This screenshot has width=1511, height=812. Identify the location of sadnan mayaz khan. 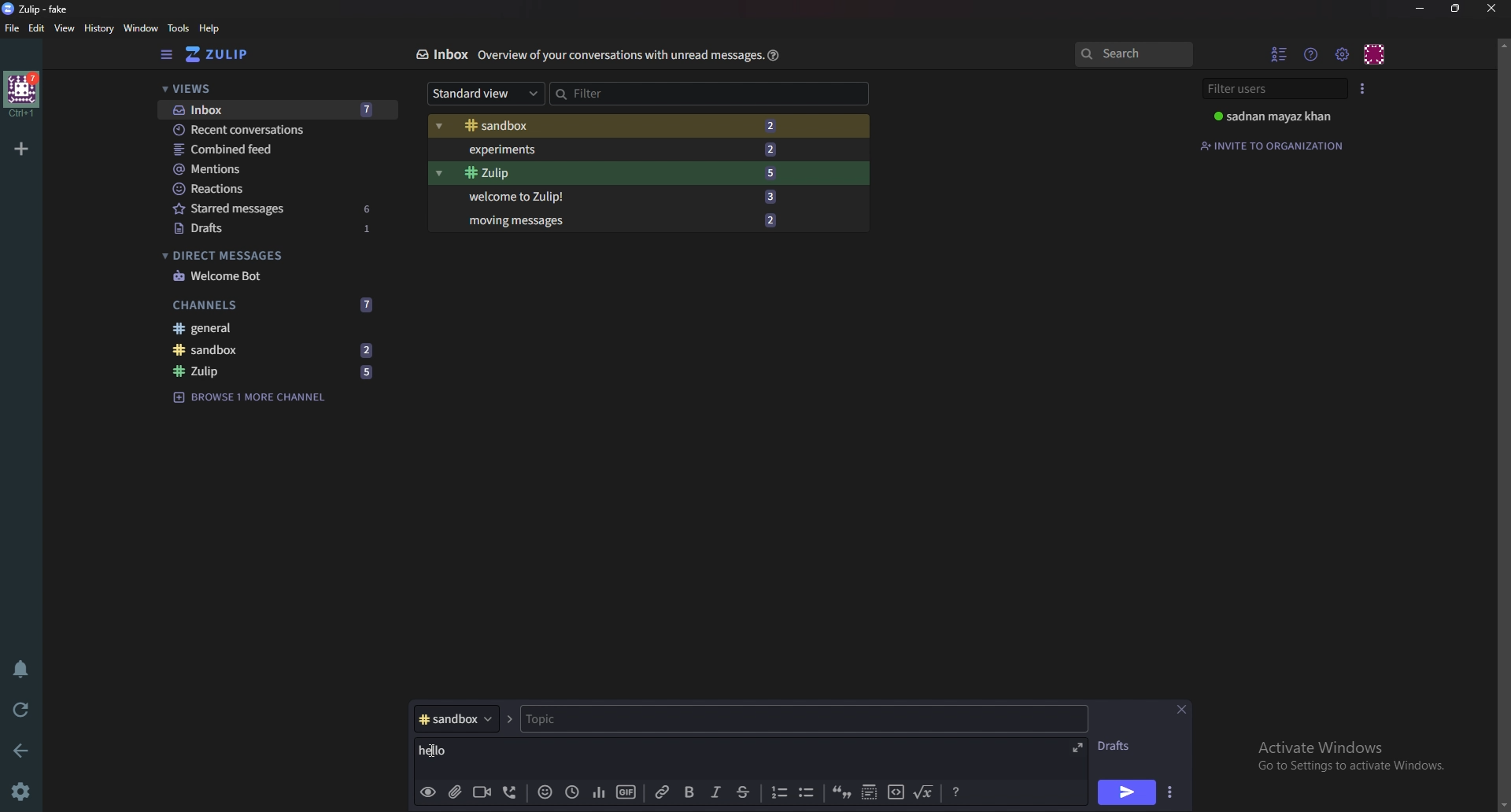
(1279, 116).